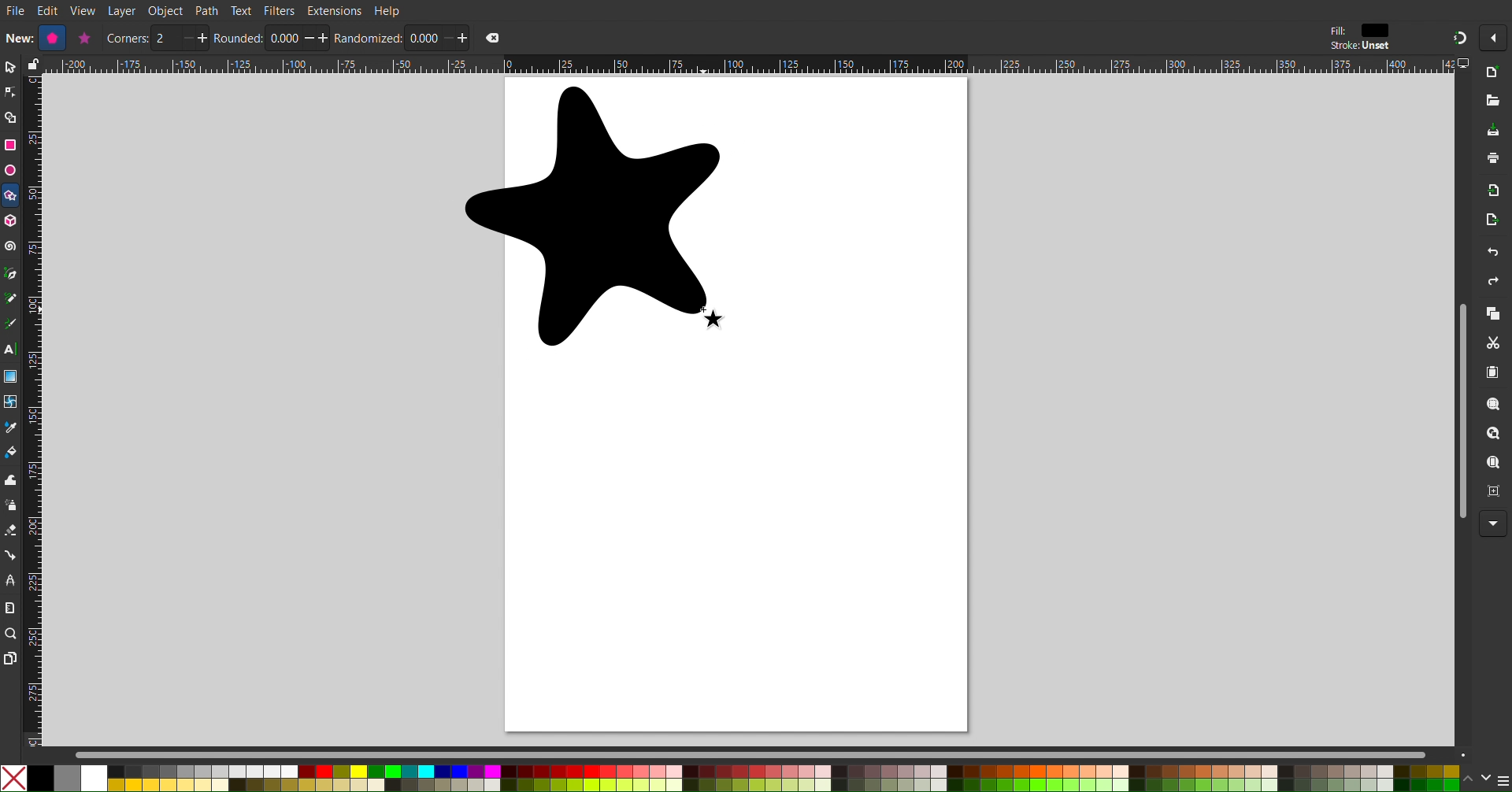 This screenshot has height=792, width=1512. Describe the element at coordinates (10, 300) in the screenshot. I see `Pencil Tool` at that location.